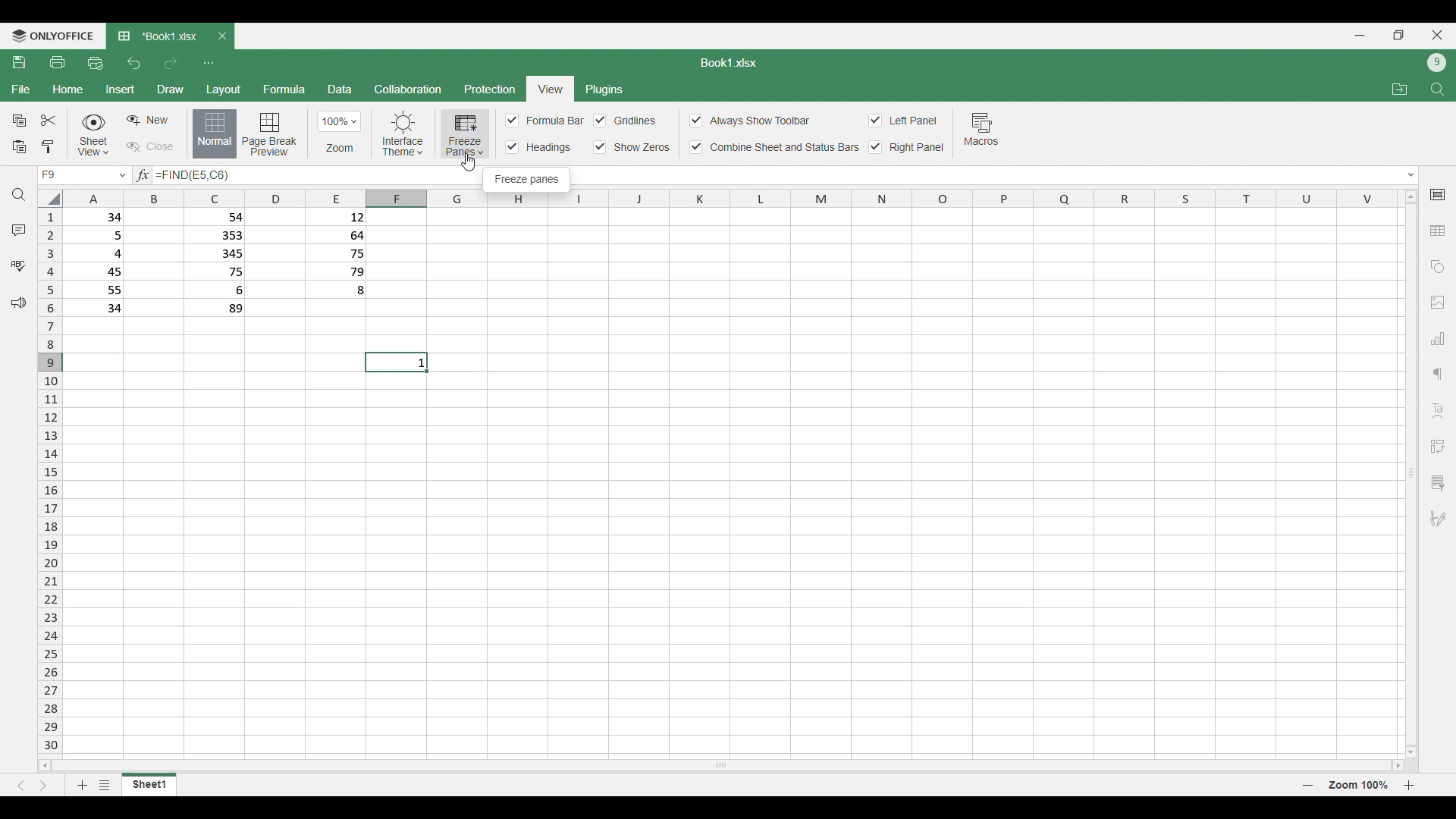 This screenshot has width=1456, height=819. What do you see at coordinates (773, 147) in the screenshot?
I see `Combine sheet and status bar toggle` at bounding box center [773, 147].